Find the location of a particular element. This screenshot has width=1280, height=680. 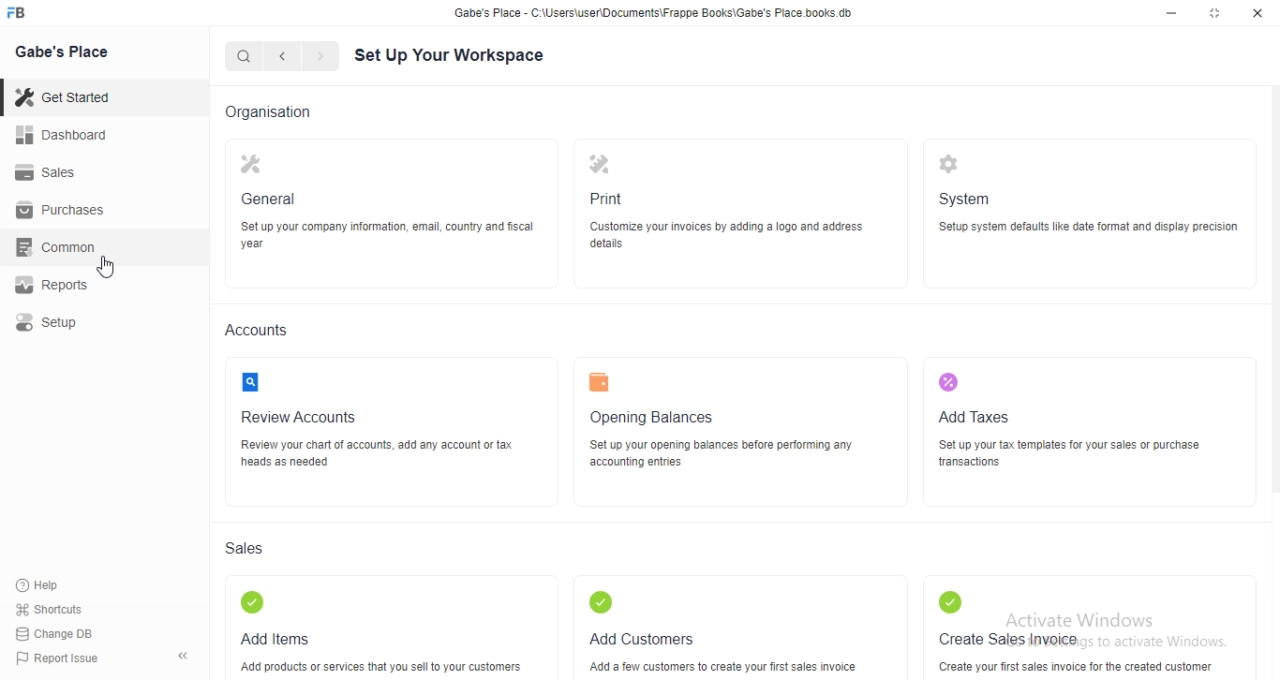

Sales is located at coordinates (246, 547).